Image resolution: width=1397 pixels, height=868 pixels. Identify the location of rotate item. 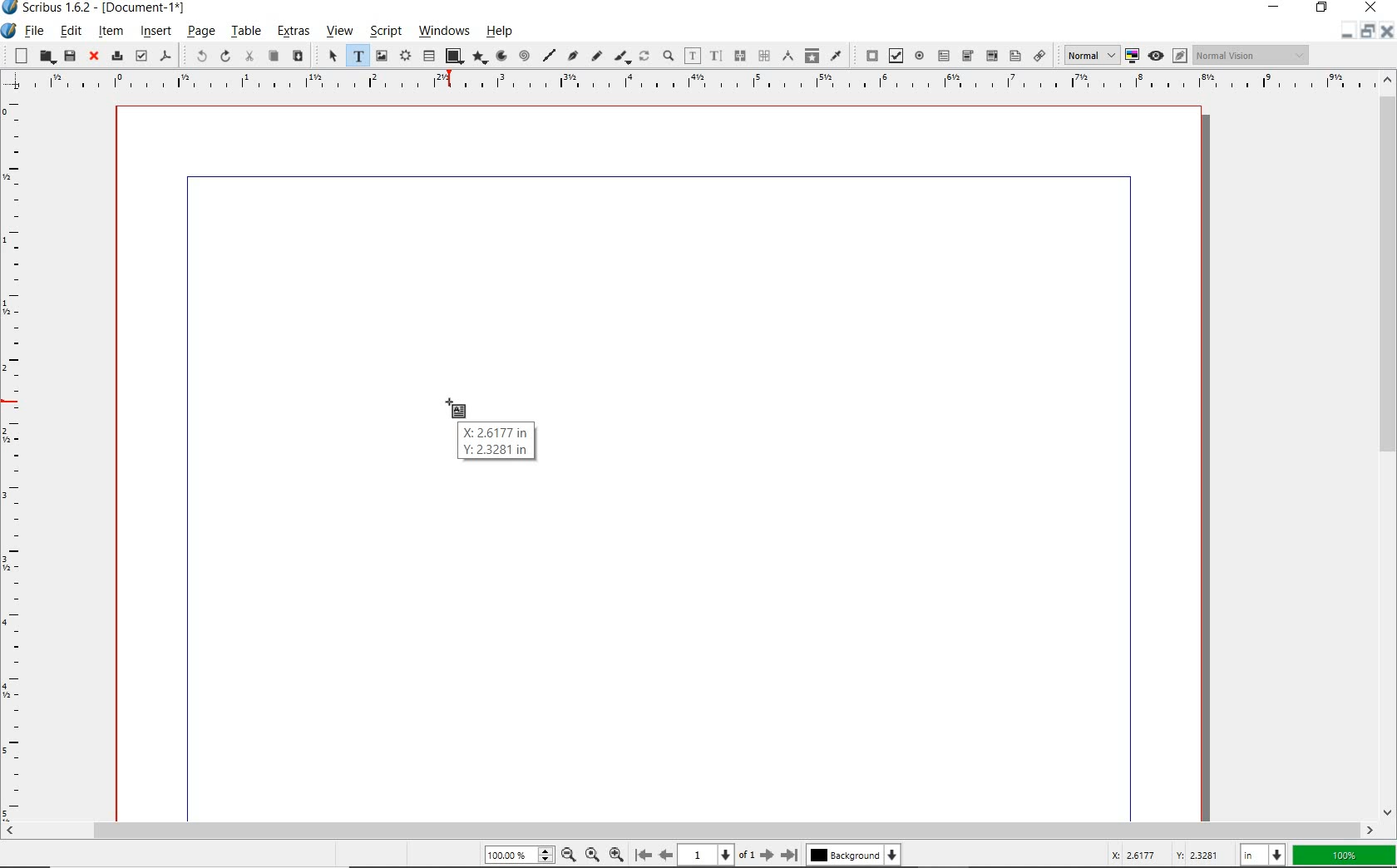
(644, 57).